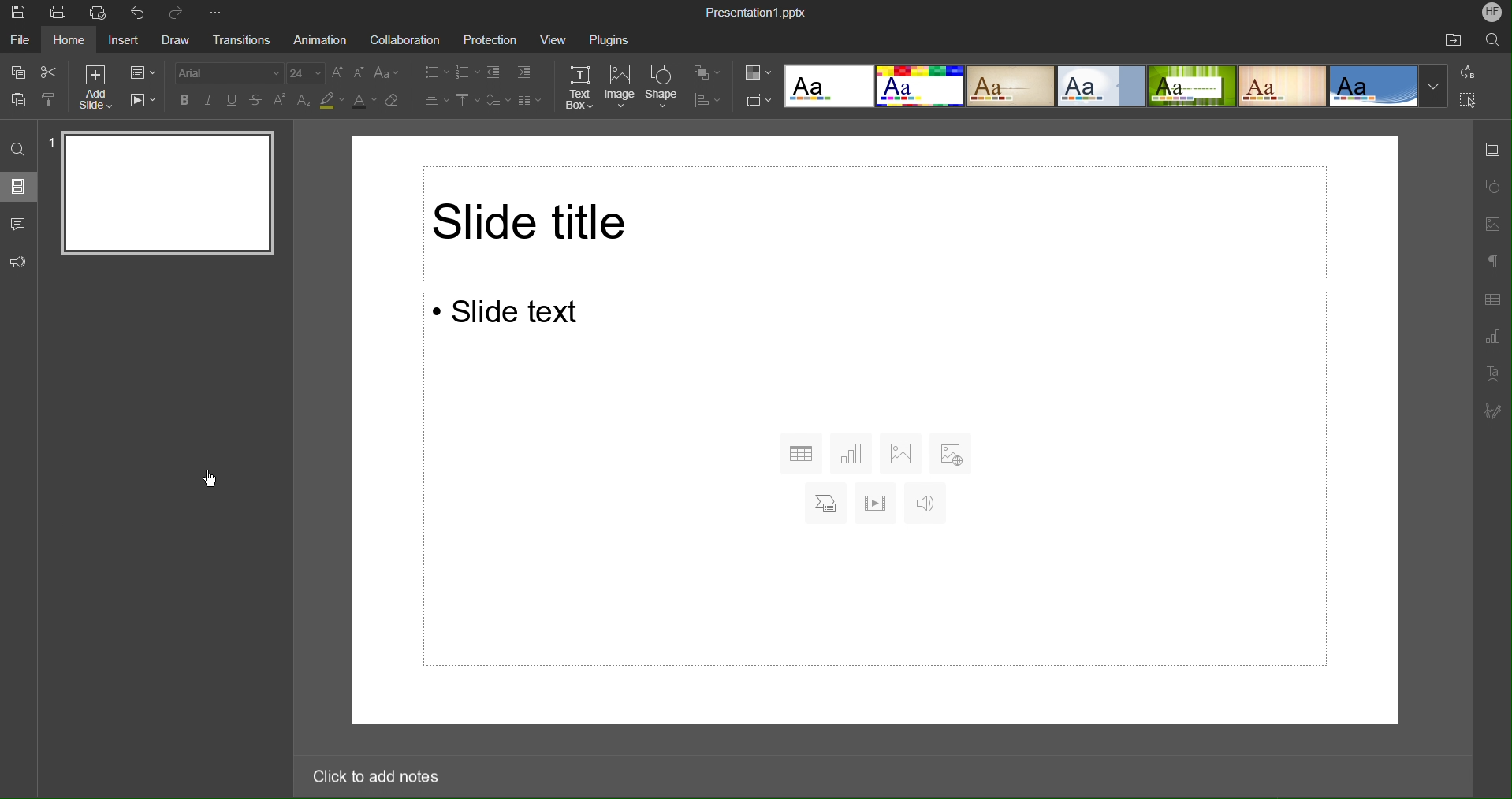 The height and width of the screenshot is (799, 1512). What do you see at coordinates (1492, 373) in the screenshot?
I see `Text Art` at bounding box center [1492, 373].